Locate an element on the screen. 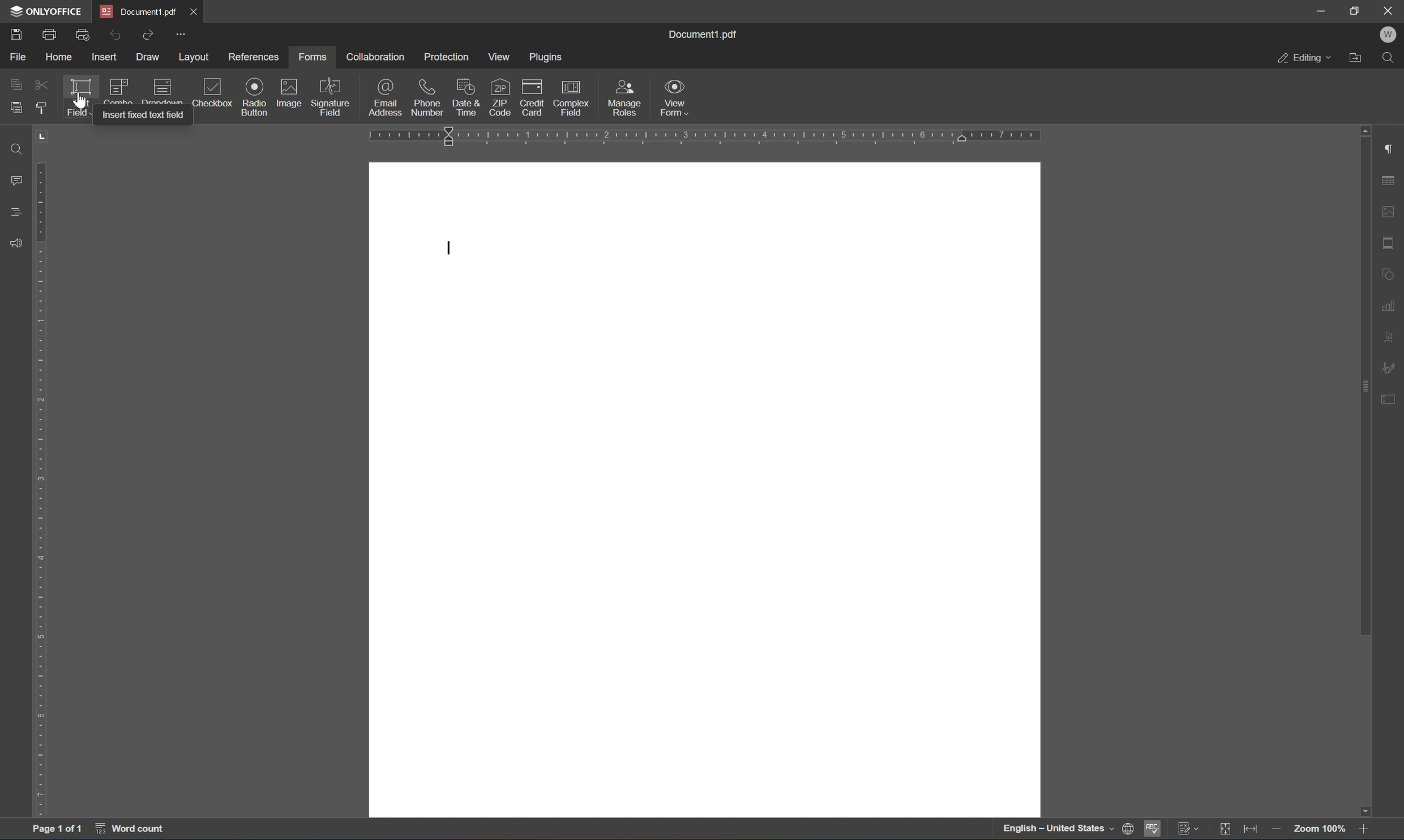 The image size is (1404, 840). form view is located at coordinates (673, 96).